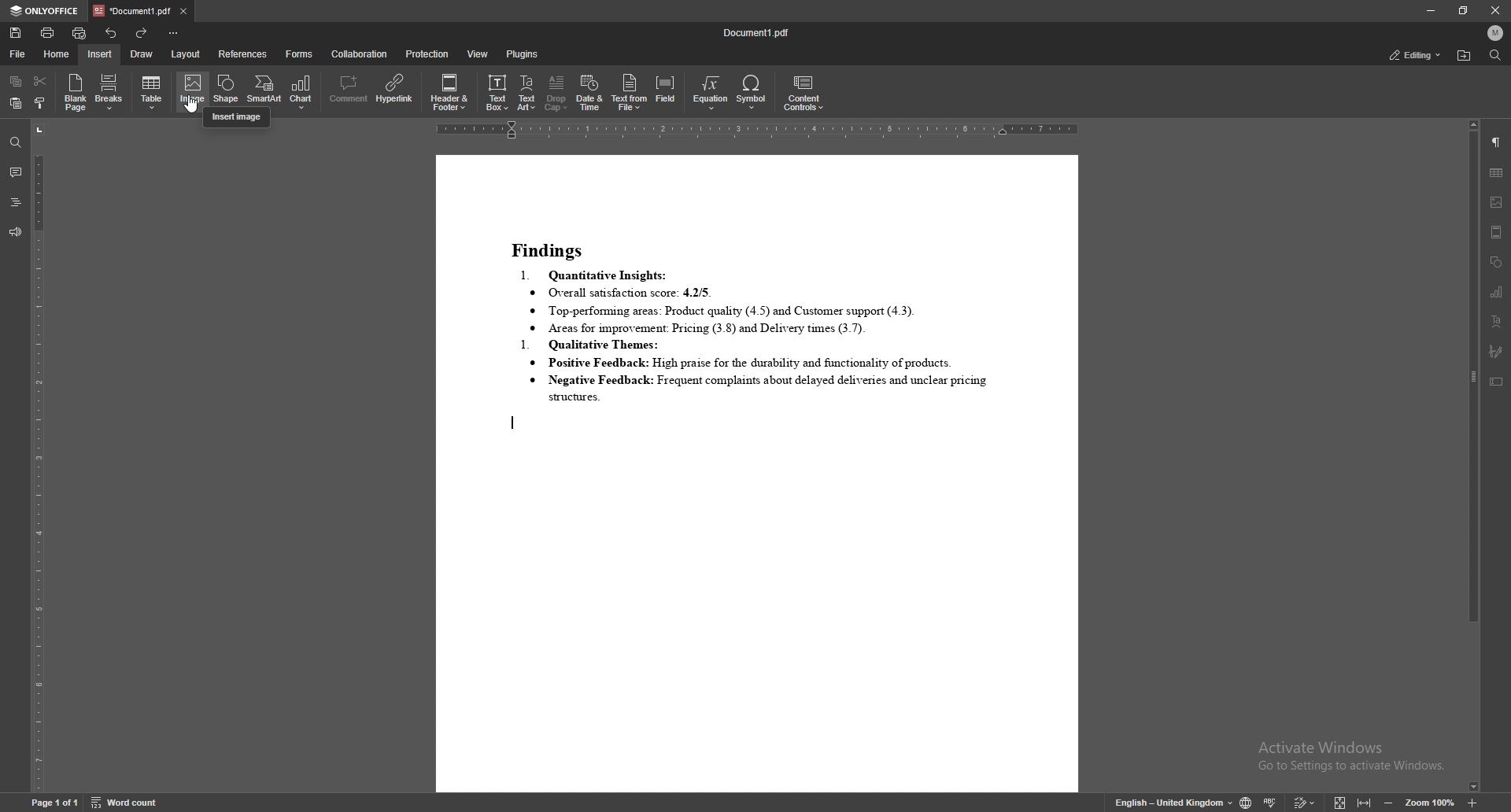 Image resolution: width=1511 pixels, height=812 pixels. I want to click on file name, so click(757, 32).